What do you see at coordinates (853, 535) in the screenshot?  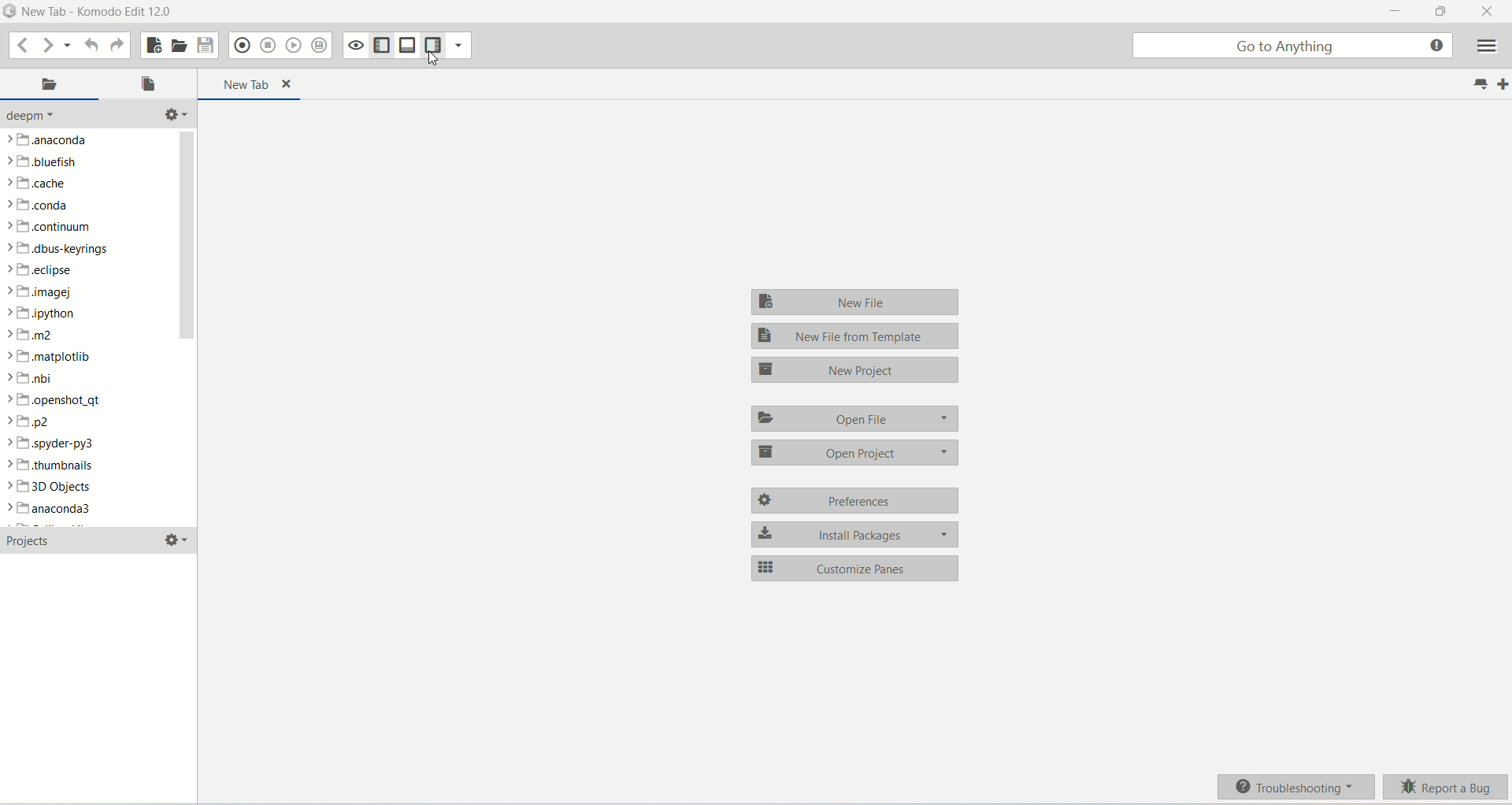 I see `install packages` at bounding box center [853, 535].